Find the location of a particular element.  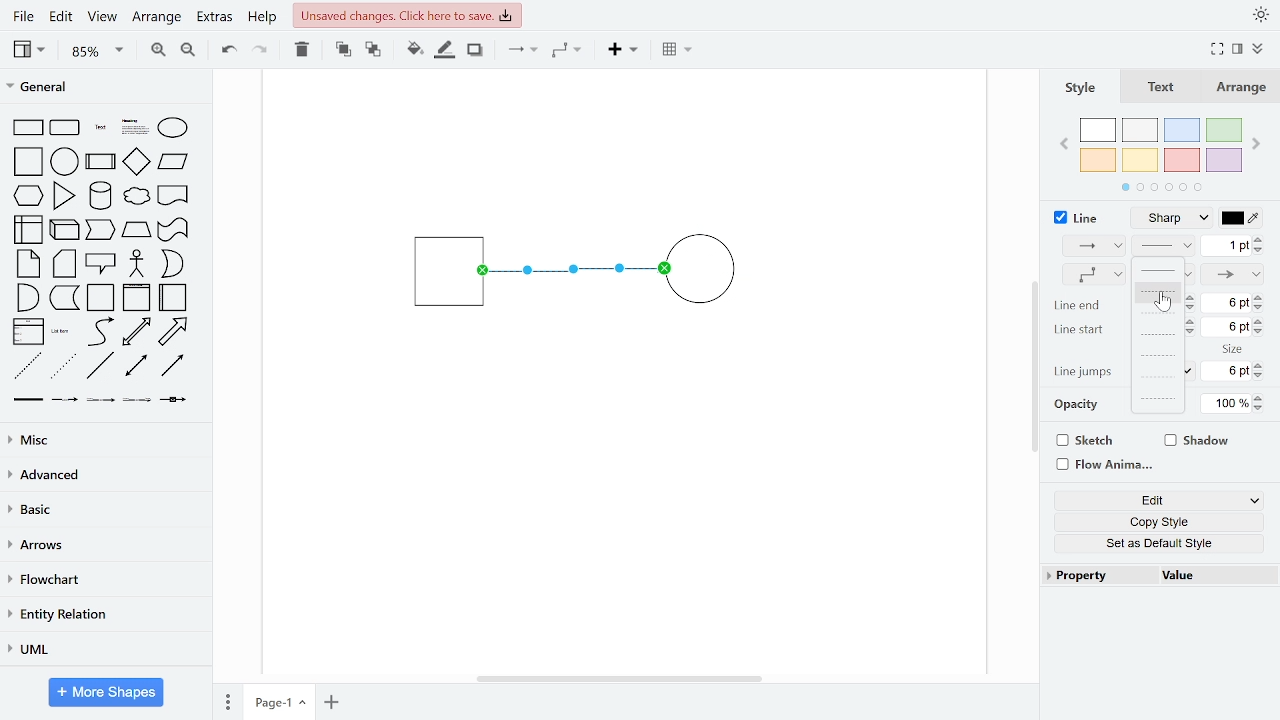

shadow is located at coordinates (1198, 442).